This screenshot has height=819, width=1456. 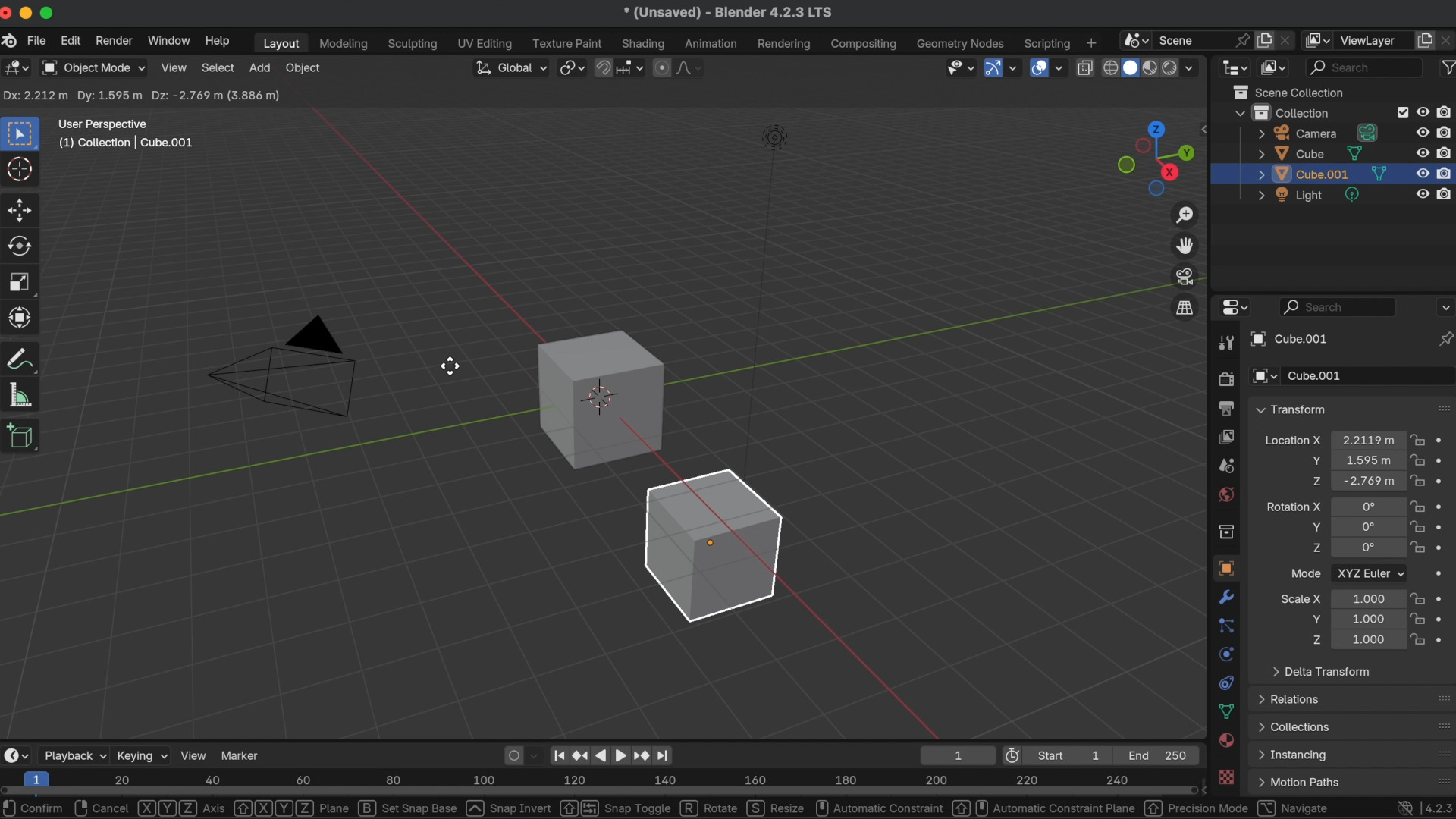 What do you see at coordinates (1439, 778) in the screenshot?
I see `drag handles` at bounding box center [1439, 778].